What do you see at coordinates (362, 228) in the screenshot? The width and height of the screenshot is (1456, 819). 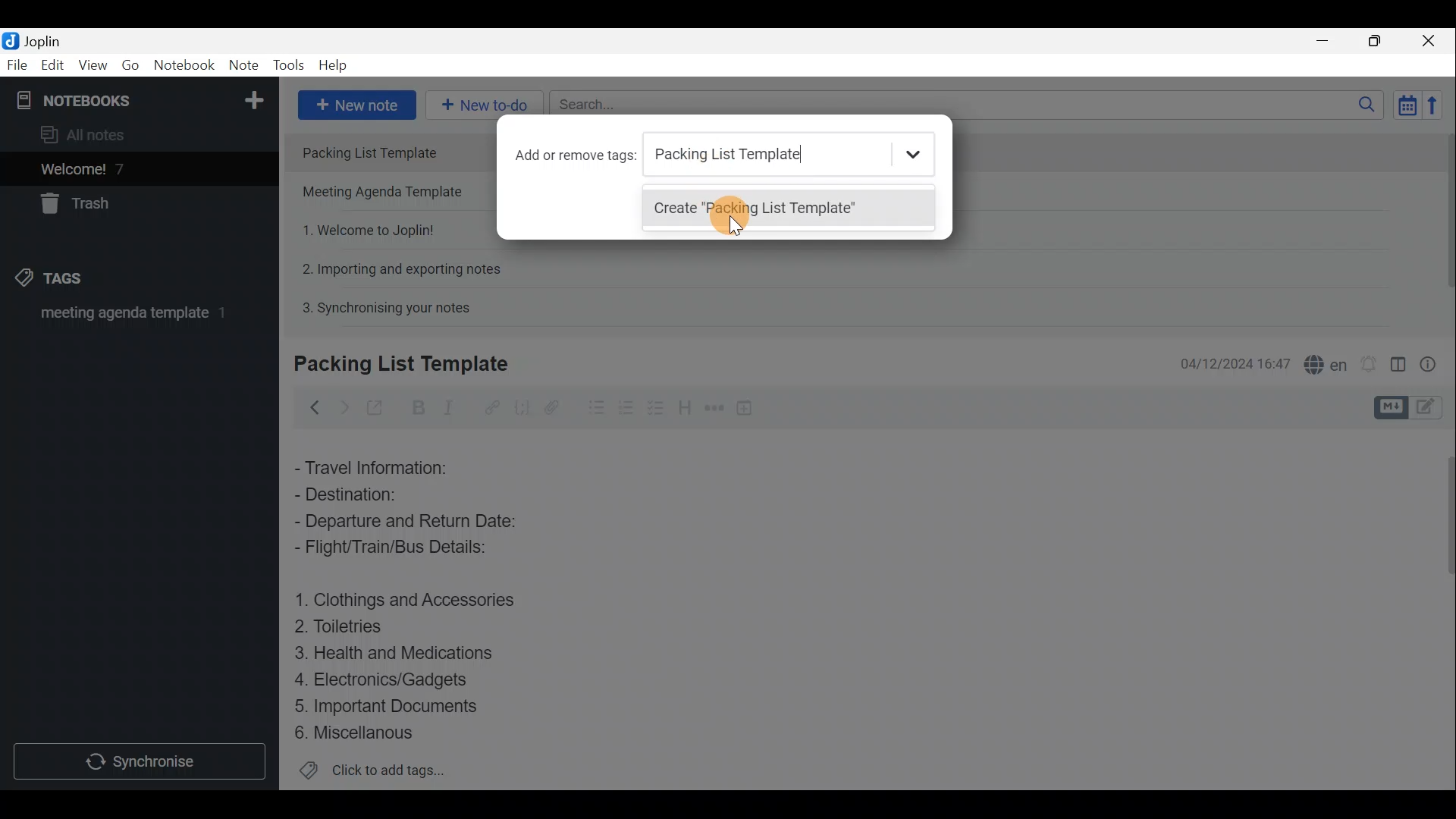 I see `Note 3` at bounding box center [362, 228].